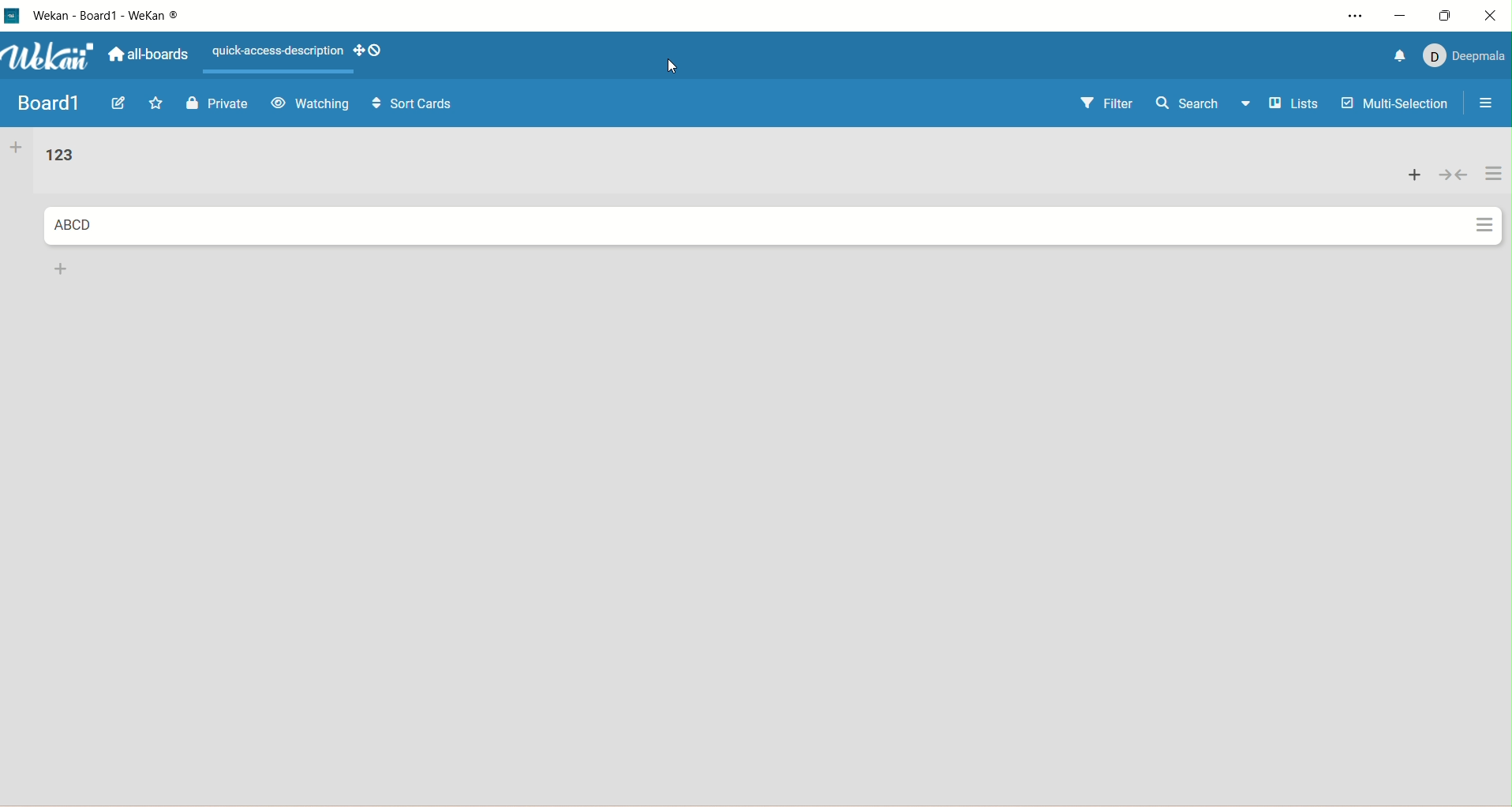 The height and width of the screenshot is (807, 1512). Describe the element at coordinates (13, 17) in the screenshot. I see `logo` at that location.